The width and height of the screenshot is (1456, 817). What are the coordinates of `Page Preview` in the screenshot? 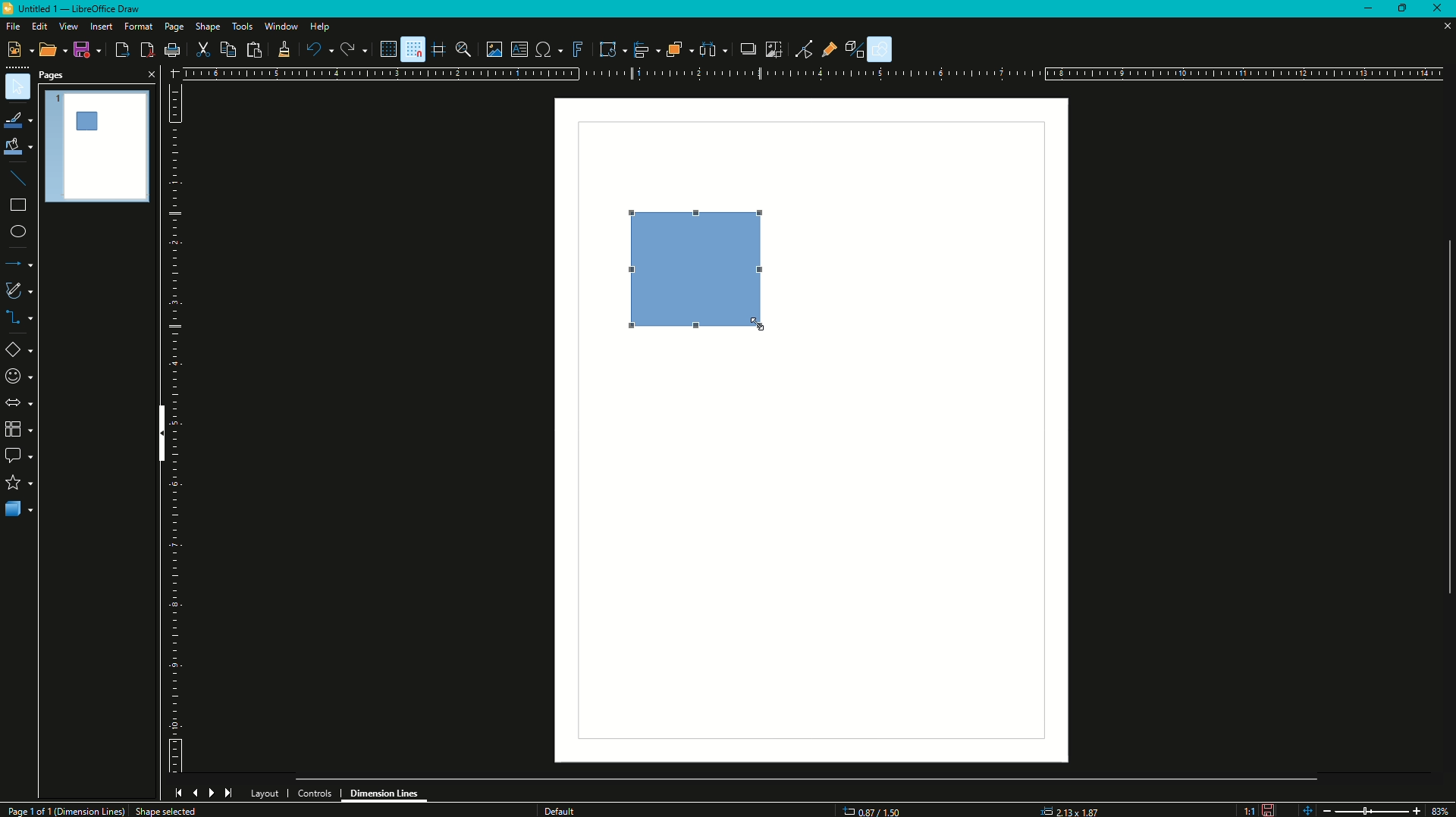 It's located at (98, 144).